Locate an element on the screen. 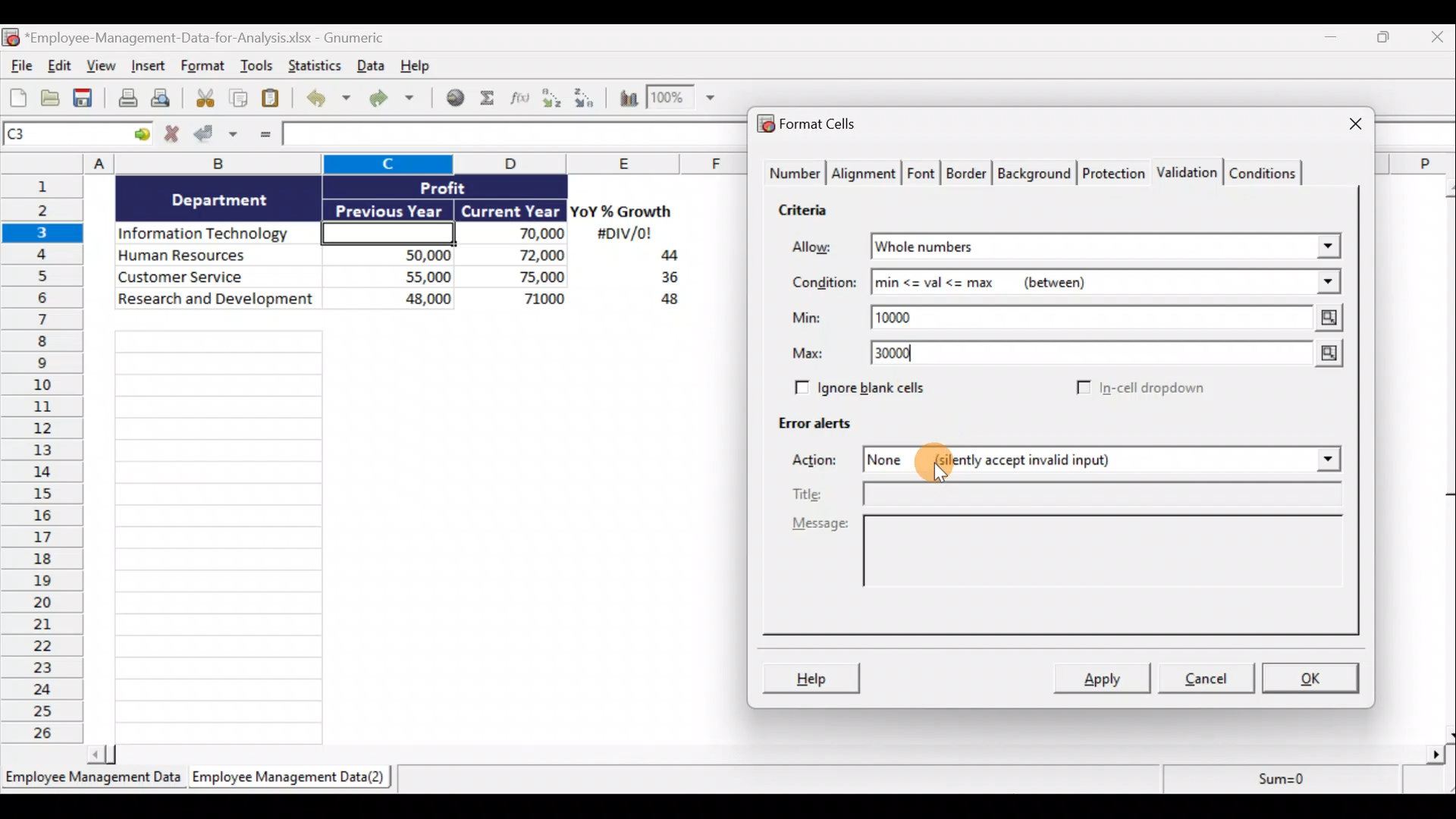  Font is located at coordinates (922, 171).